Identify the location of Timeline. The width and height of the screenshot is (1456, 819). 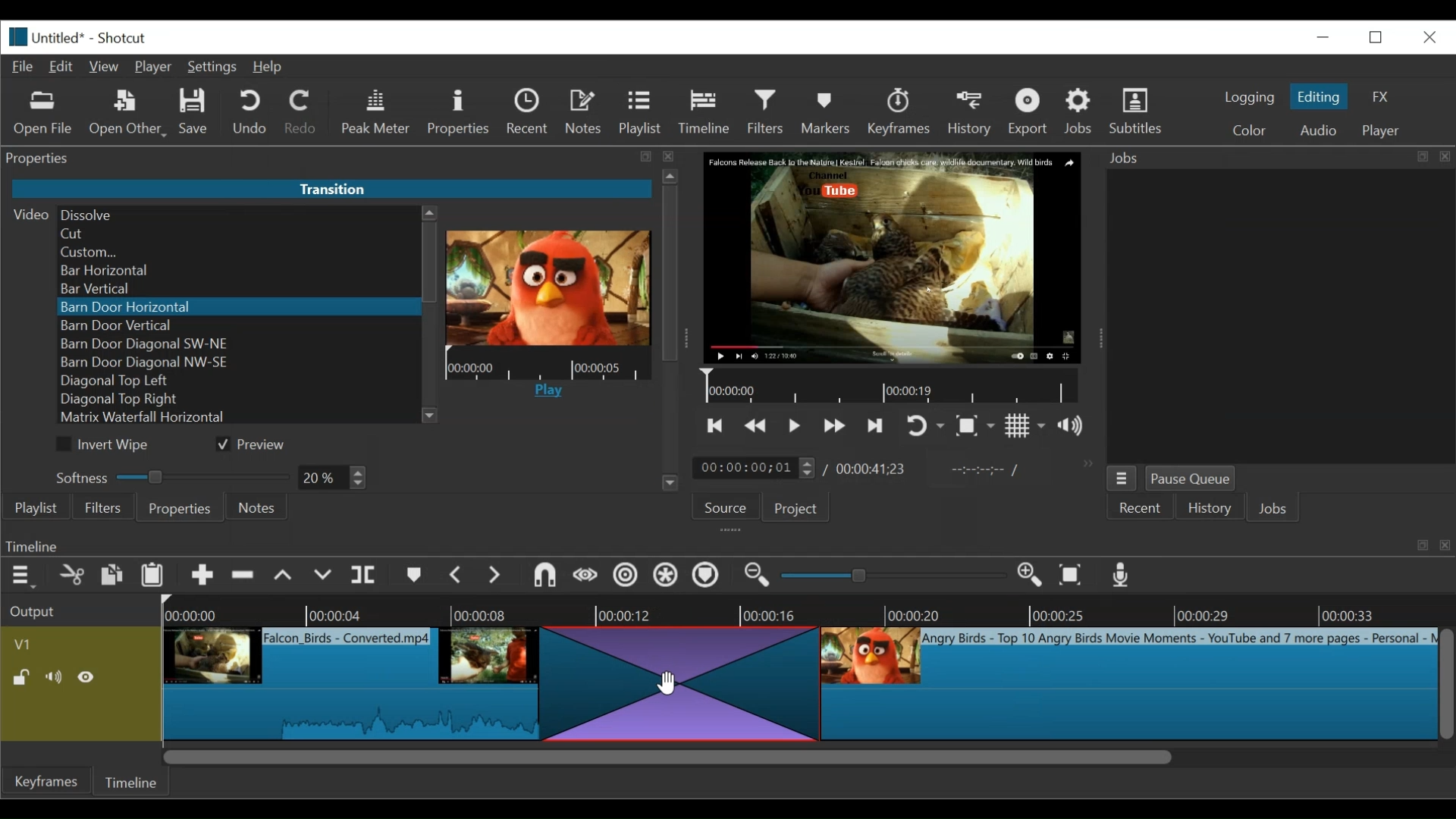
(137, 782).